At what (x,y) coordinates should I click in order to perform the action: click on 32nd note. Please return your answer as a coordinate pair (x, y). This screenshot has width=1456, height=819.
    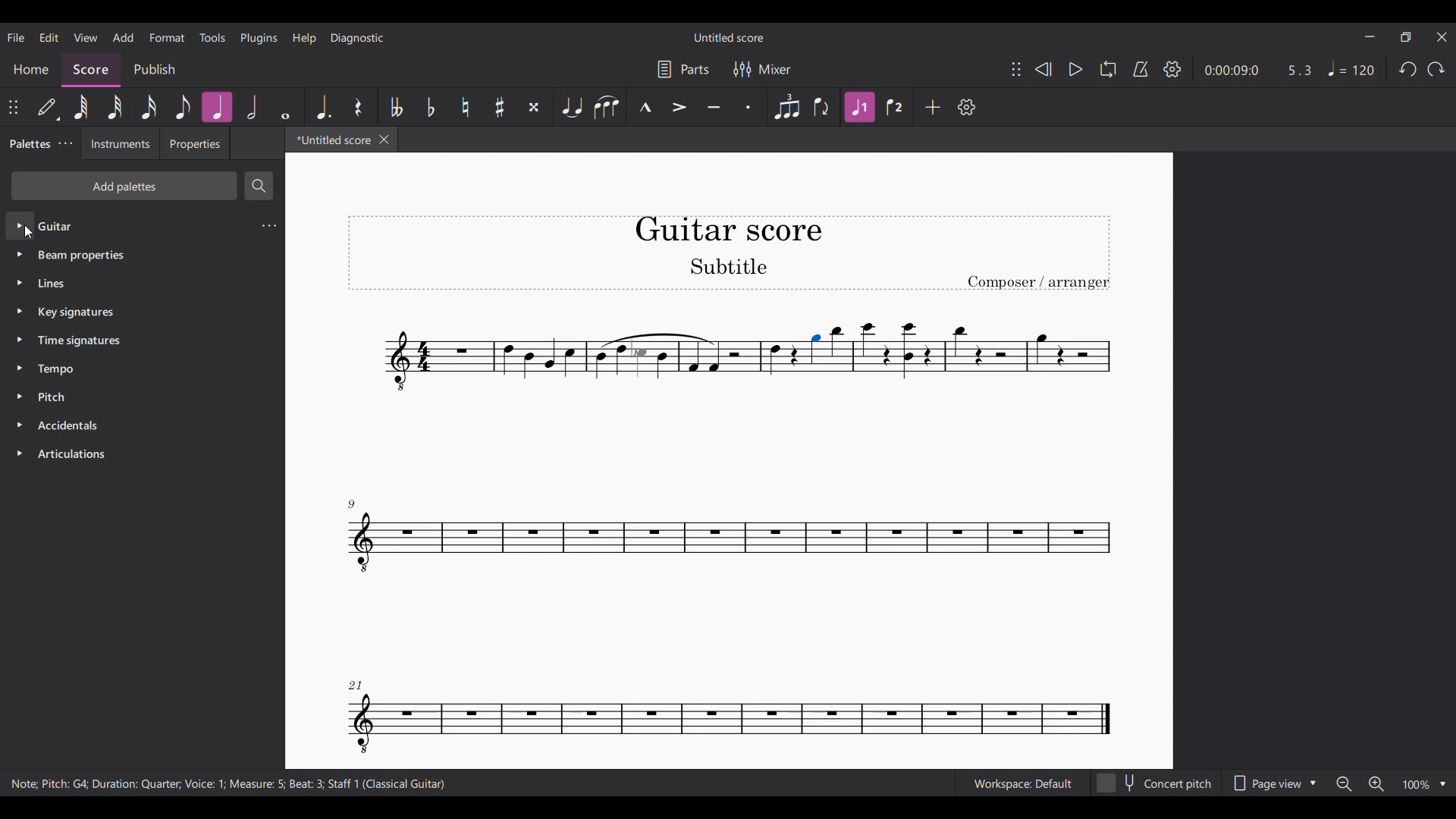
    Looking at the image, I should click on (115, 107).